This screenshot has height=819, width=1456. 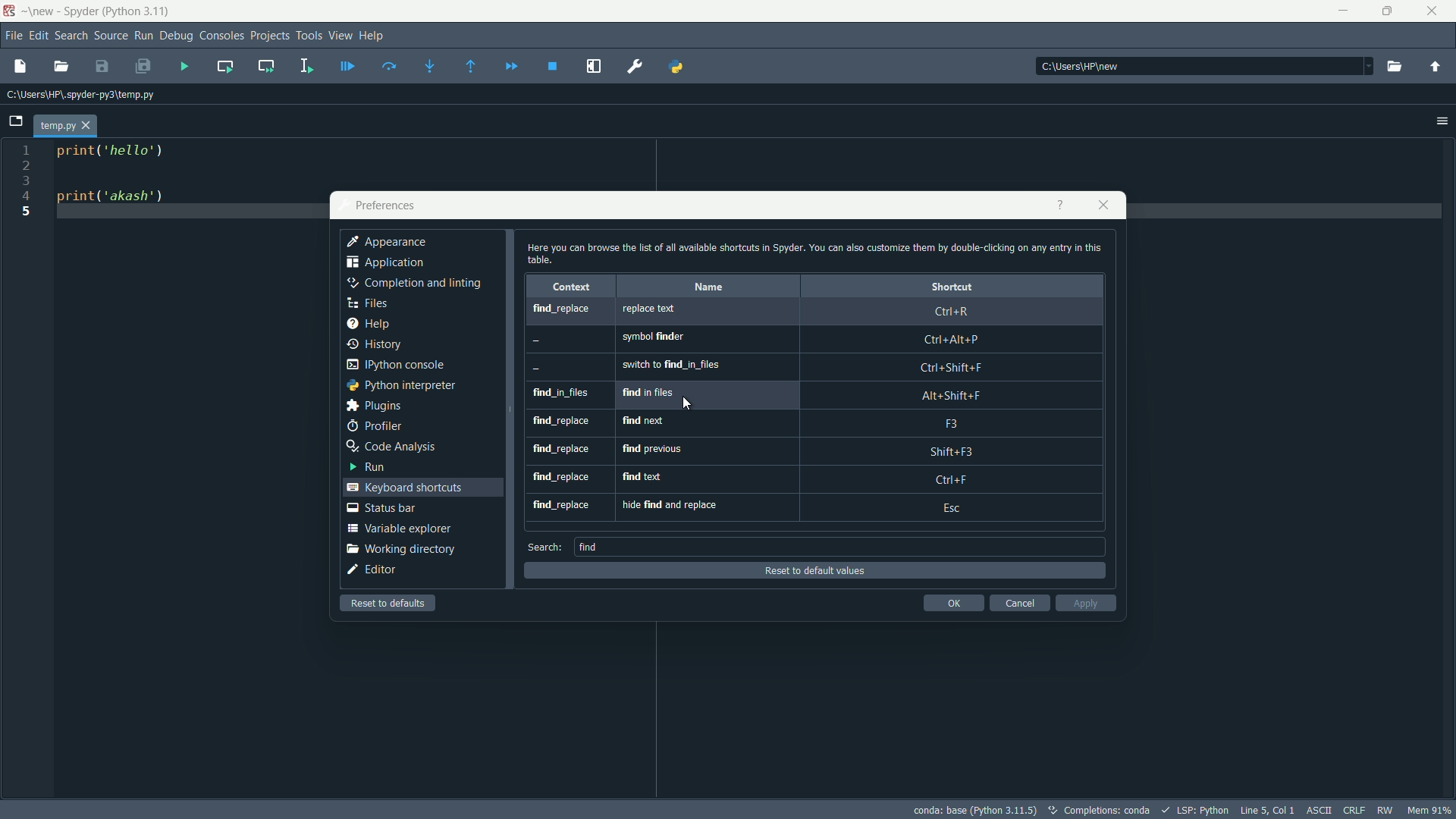 What do you see at coordinates (1429, 810) in the screenshot?
I see `Mem 91%` at bounding box center [1429, 810].